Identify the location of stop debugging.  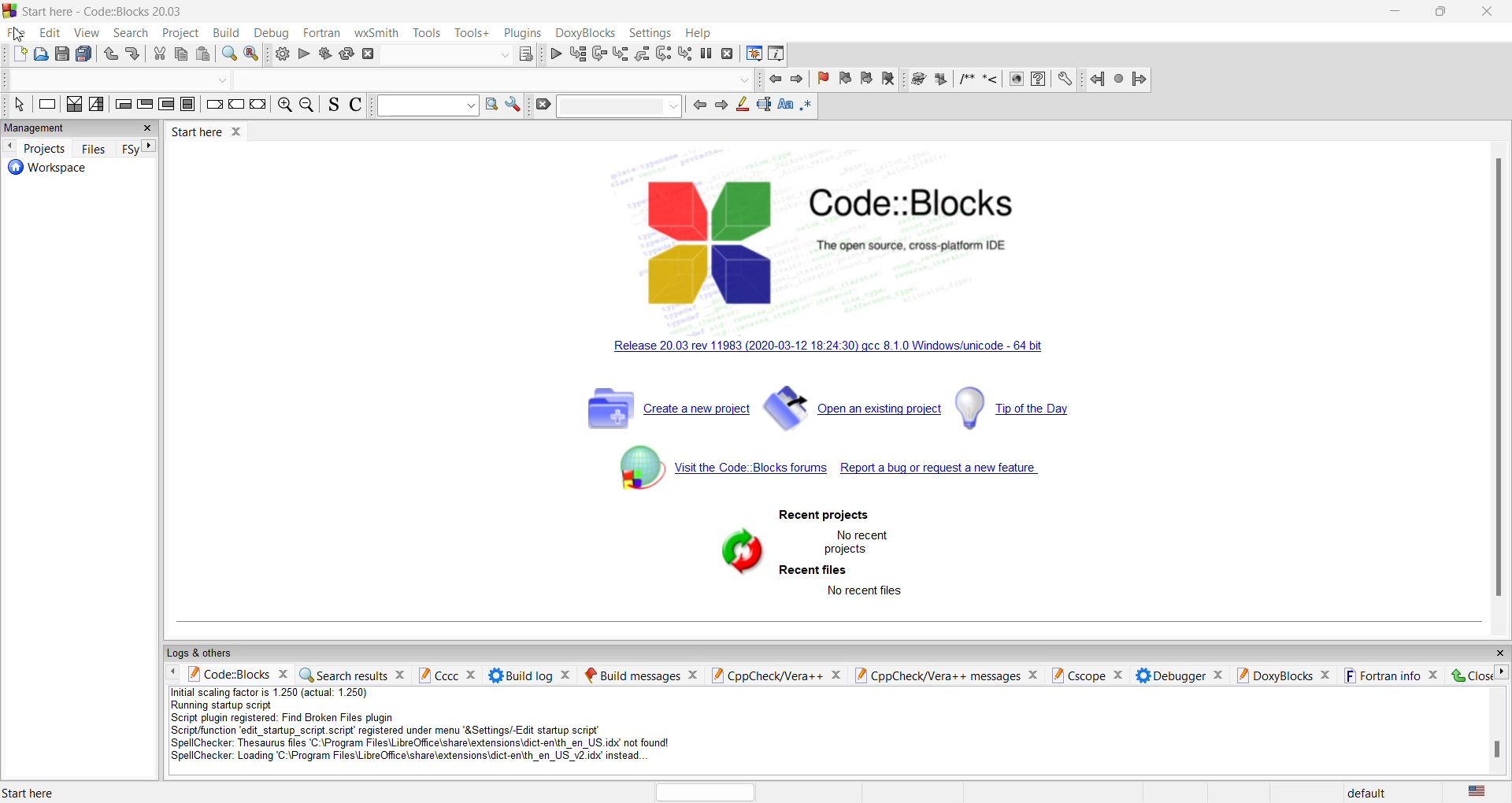
(727, 55).